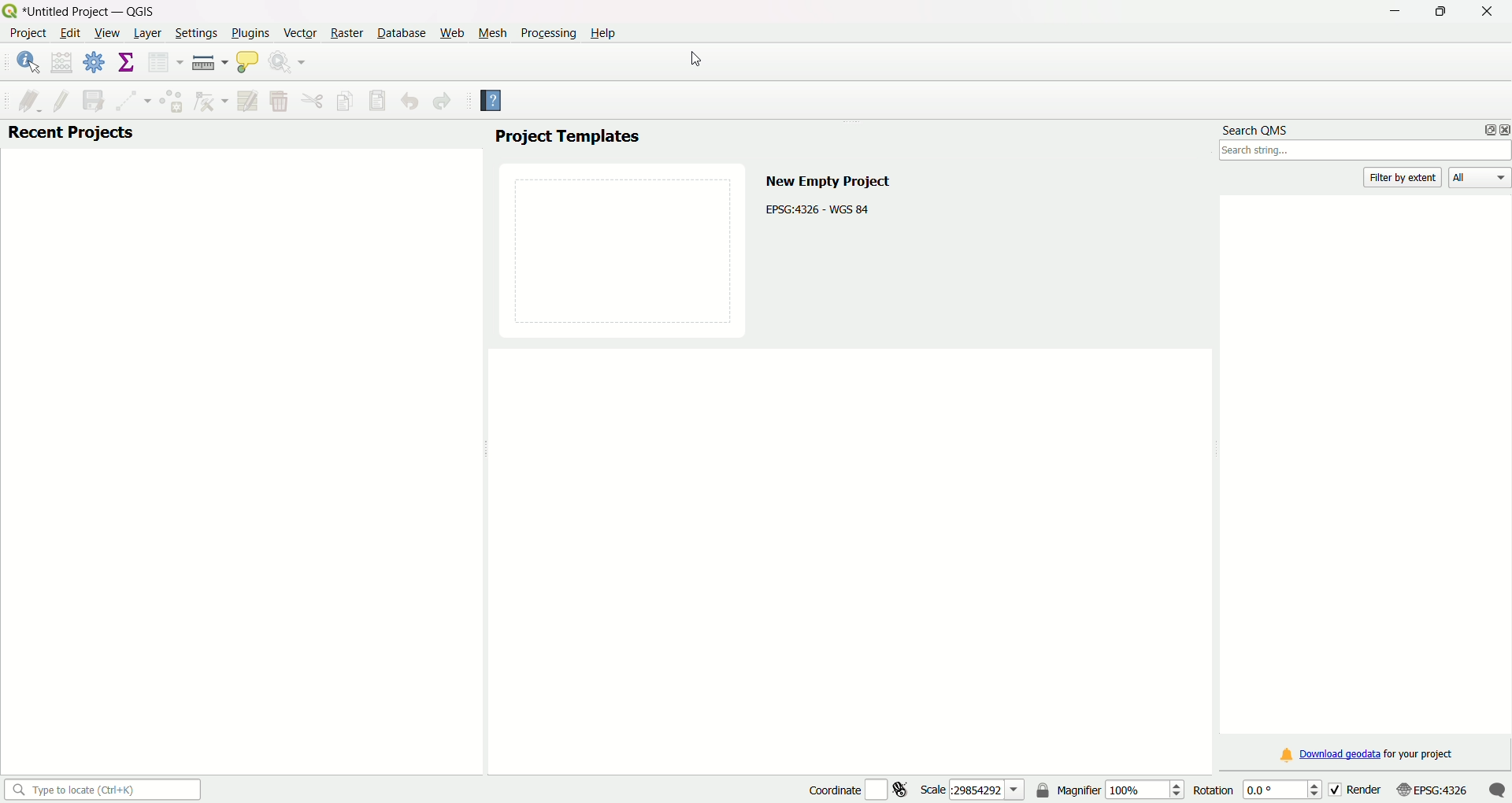  What do you see at coordinates (491, 32) in the screenshot?
I see `Mesh` at bounding box center [491, 32].